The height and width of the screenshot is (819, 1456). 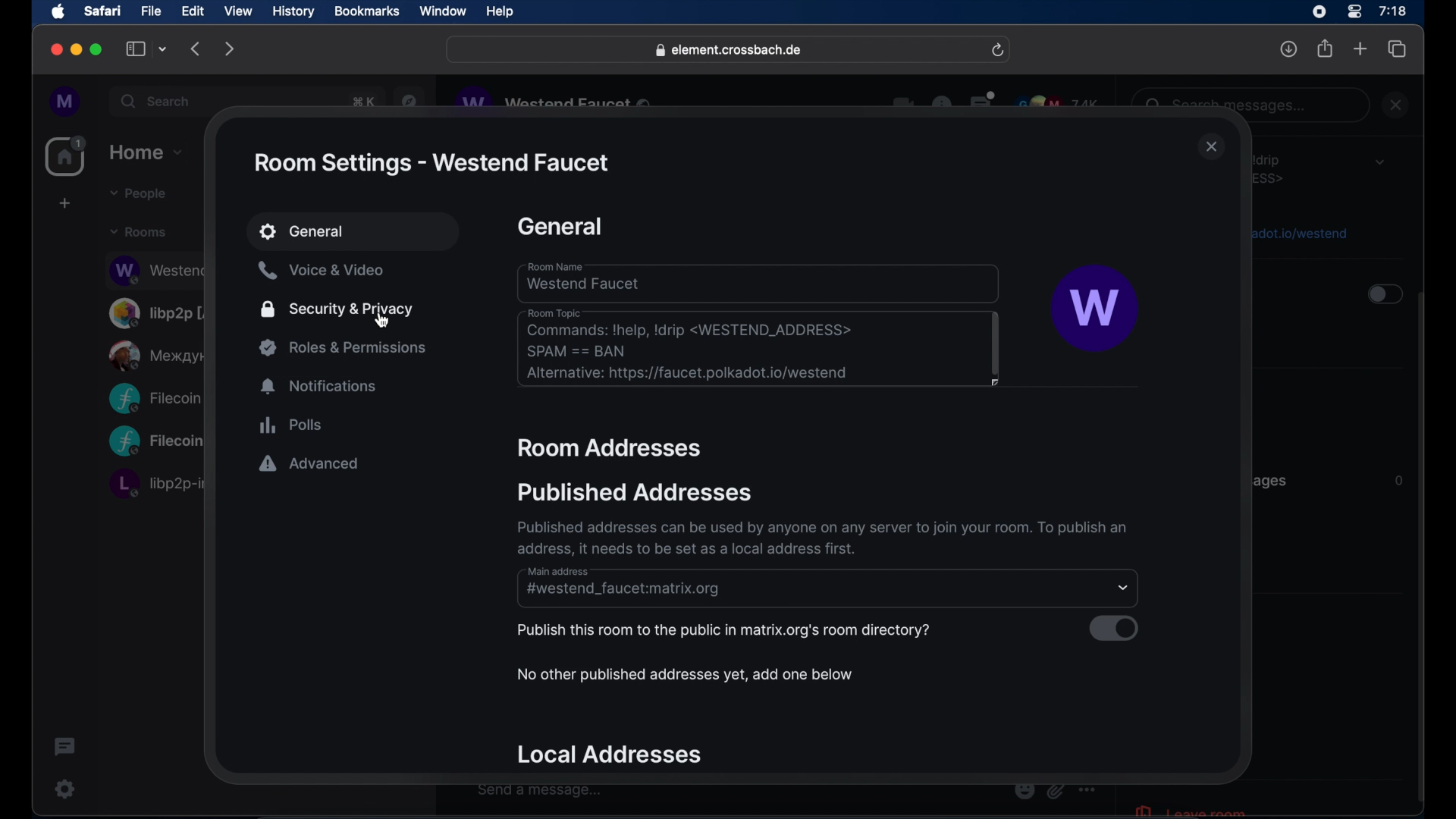 I want to click on polls, so click(x=290, y=425).